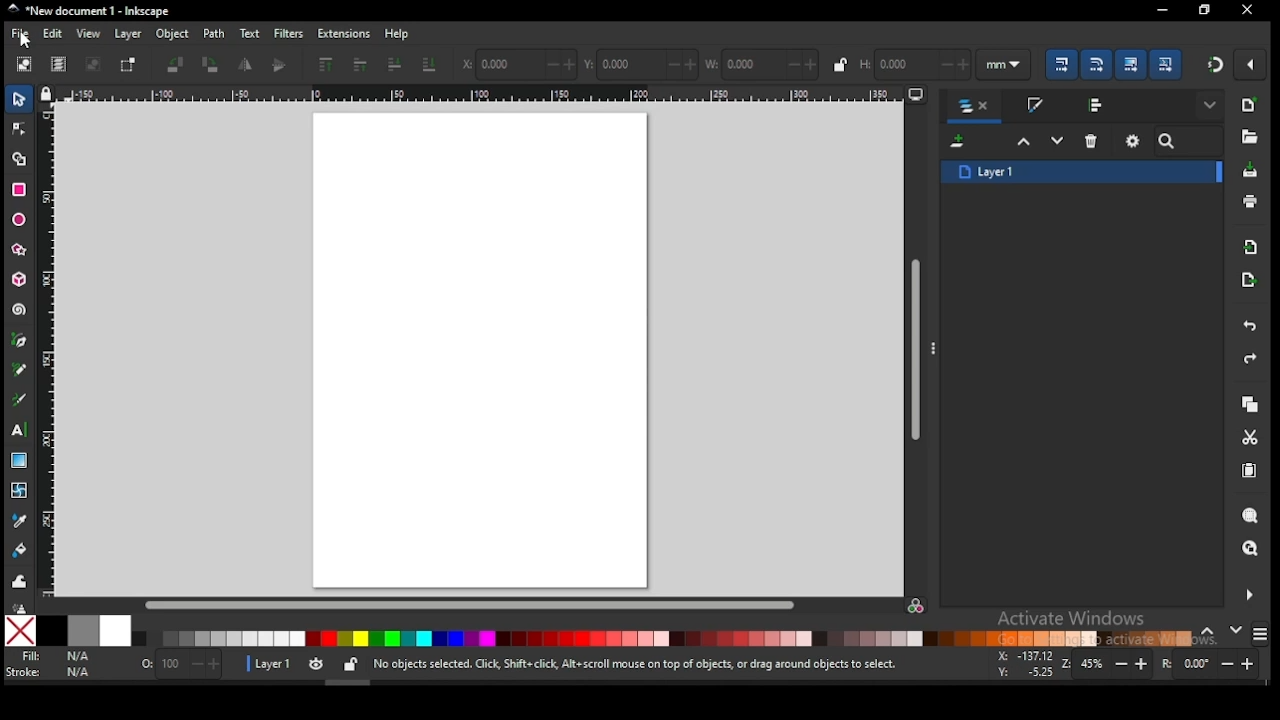  What do you see at coordinates (1131, 64) in the screenshot?
I see `move gradient along with objects` at bounding box center [1131, 64].